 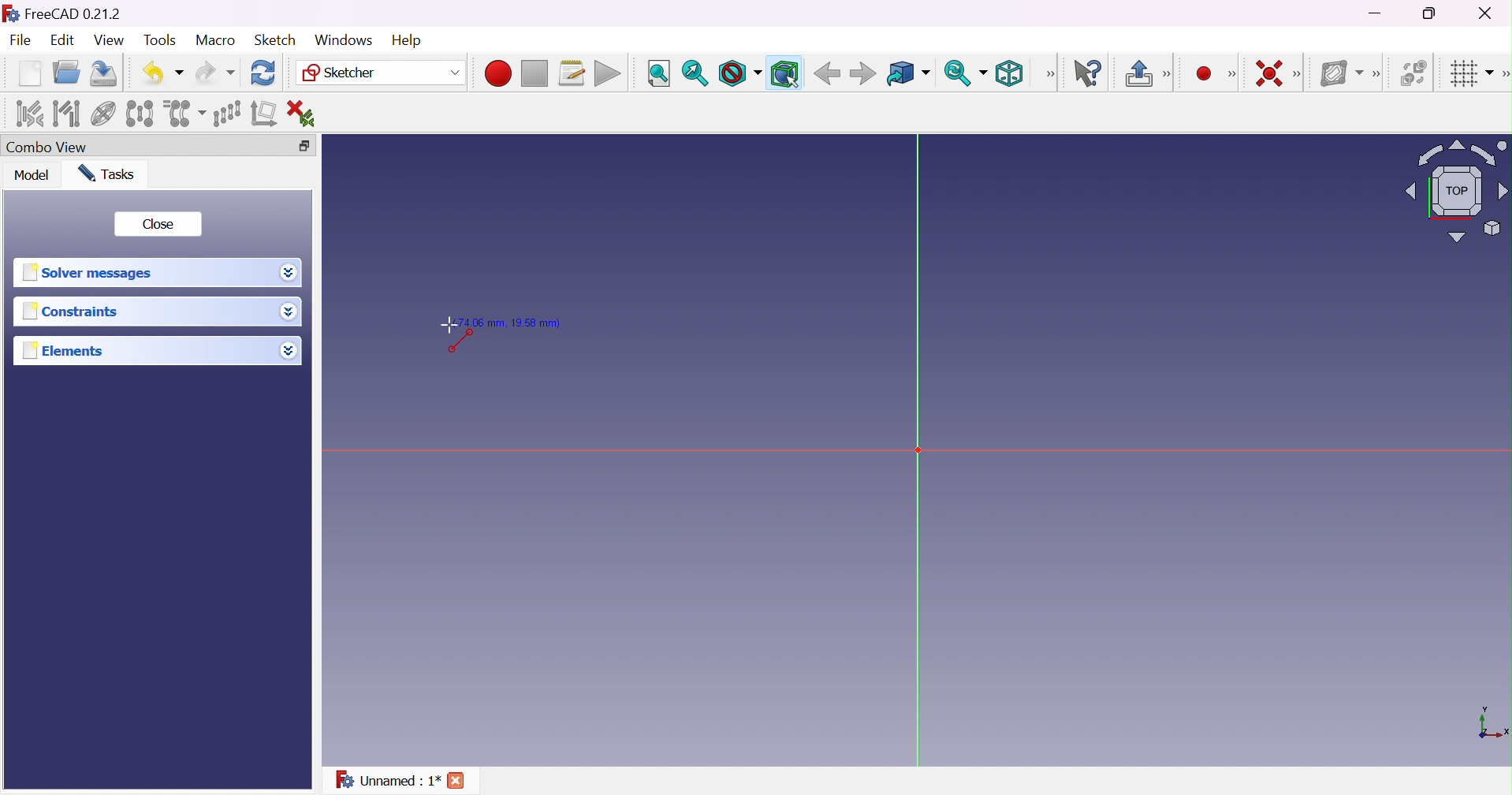 I want to click on Elements, so click(x=72, y=351).